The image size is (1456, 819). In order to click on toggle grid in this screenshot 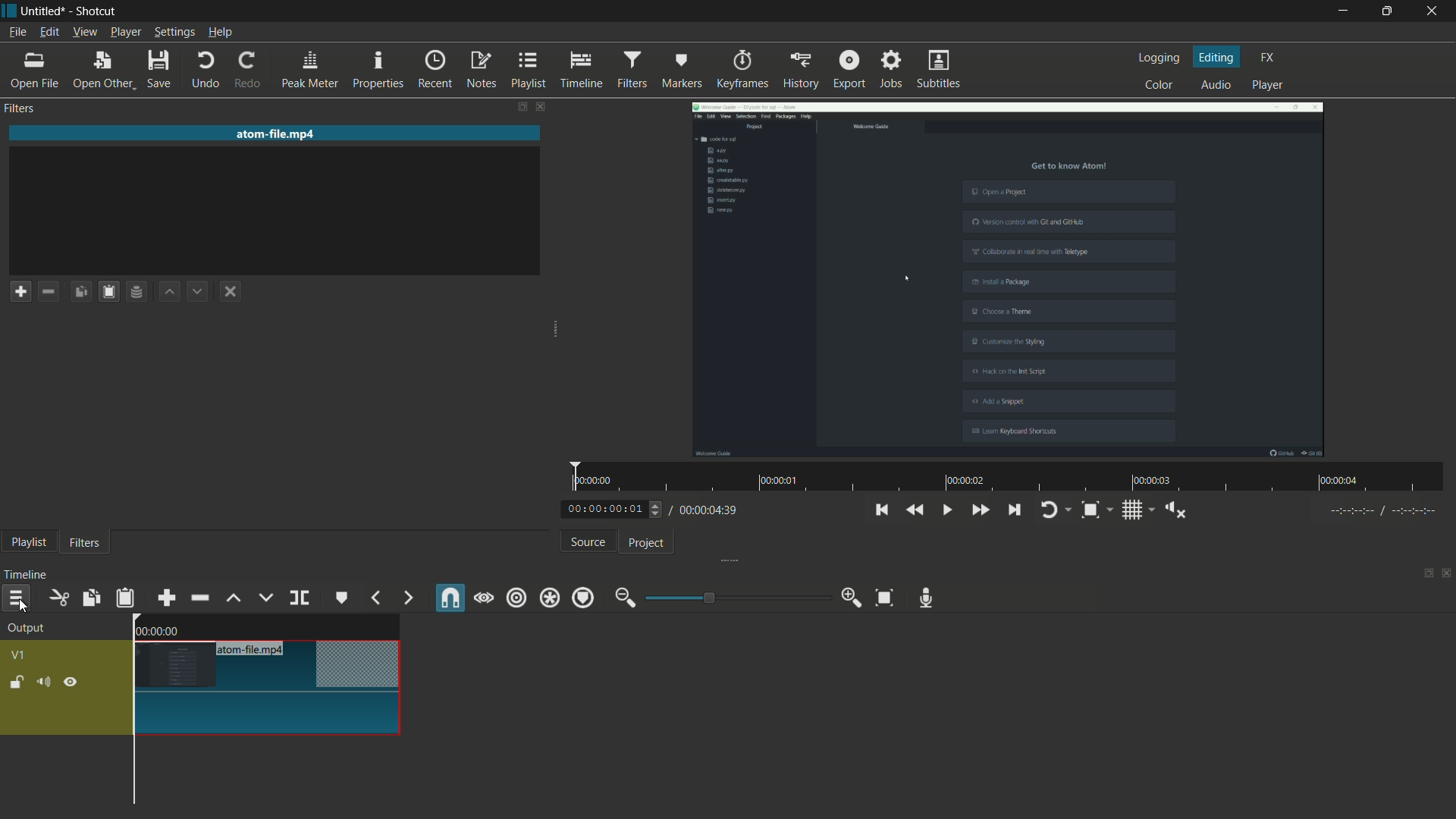, I will do `click(1131, 510)`.